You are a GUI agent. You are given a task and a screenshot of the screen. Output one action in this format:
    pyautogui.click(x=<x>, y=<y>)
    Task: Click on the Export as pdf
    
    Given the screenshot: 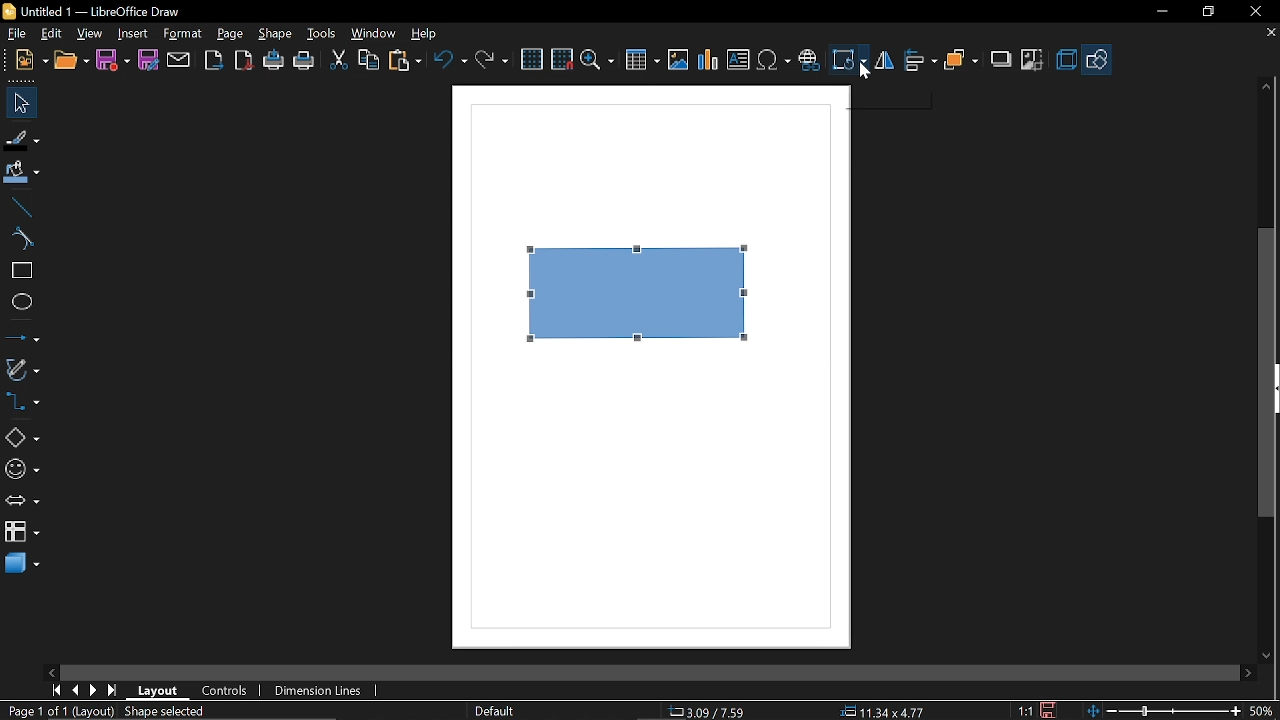 What is the action you would take?
    pyautogui.click(x=245, y=61)
    